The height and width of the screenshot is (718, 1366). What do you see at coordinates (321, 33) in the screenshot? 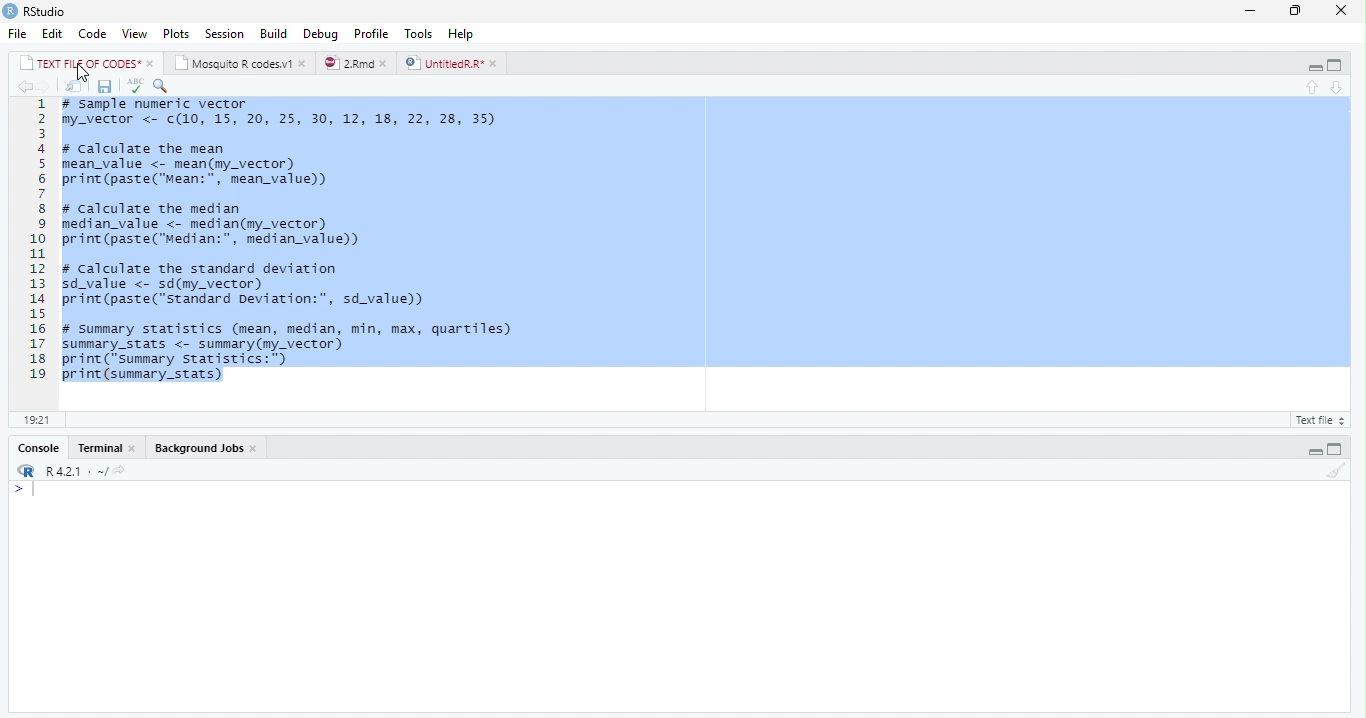
I see `debug` at bounding box center [321, 33].